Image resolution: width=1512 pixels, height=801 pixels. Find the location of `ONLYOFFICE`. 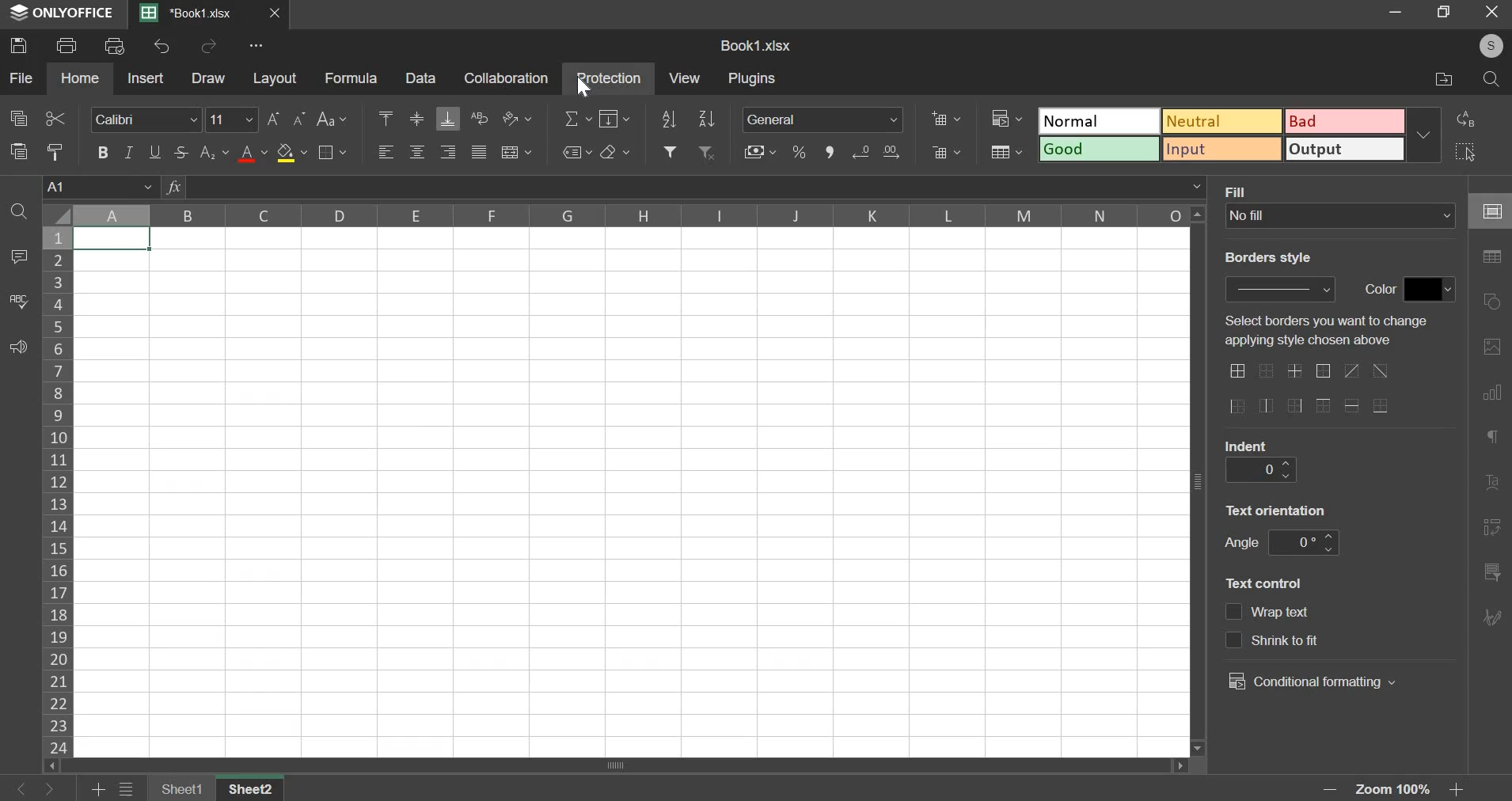

ONLYOFFICE is located at coordinates (59, 13).